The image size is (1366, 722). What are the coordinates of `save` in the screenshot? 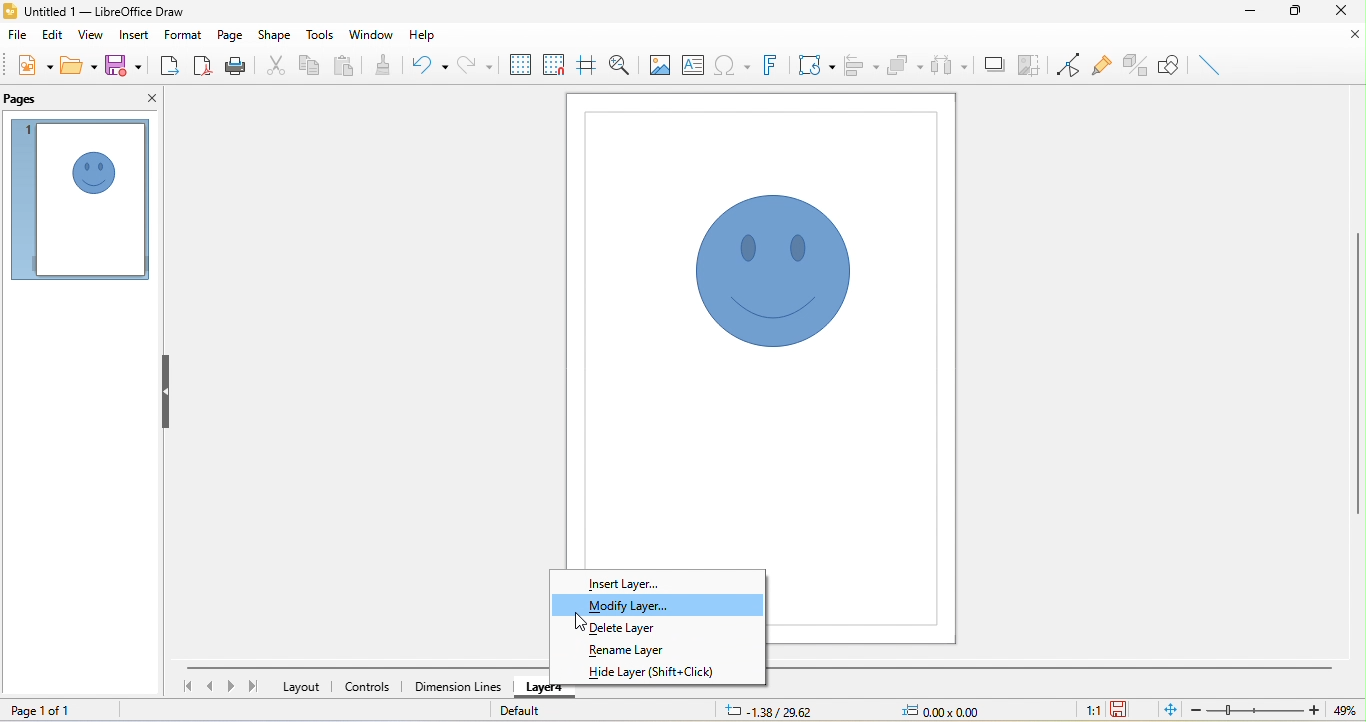 It's located at (123, 64).